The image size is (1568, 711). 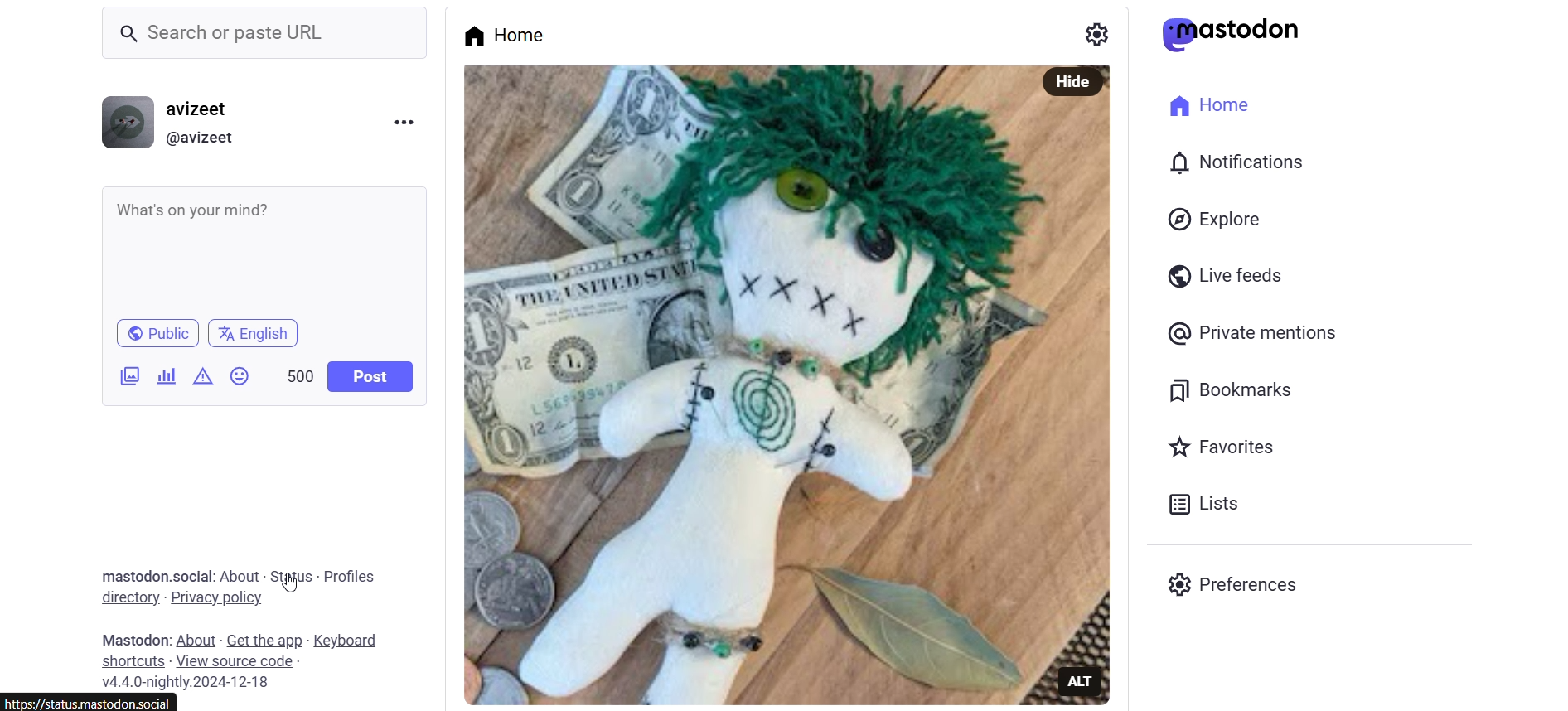 What do you see at coordinates (1199, 104) in the screenshot?
I see `home` at bounding box center [1199, 104].